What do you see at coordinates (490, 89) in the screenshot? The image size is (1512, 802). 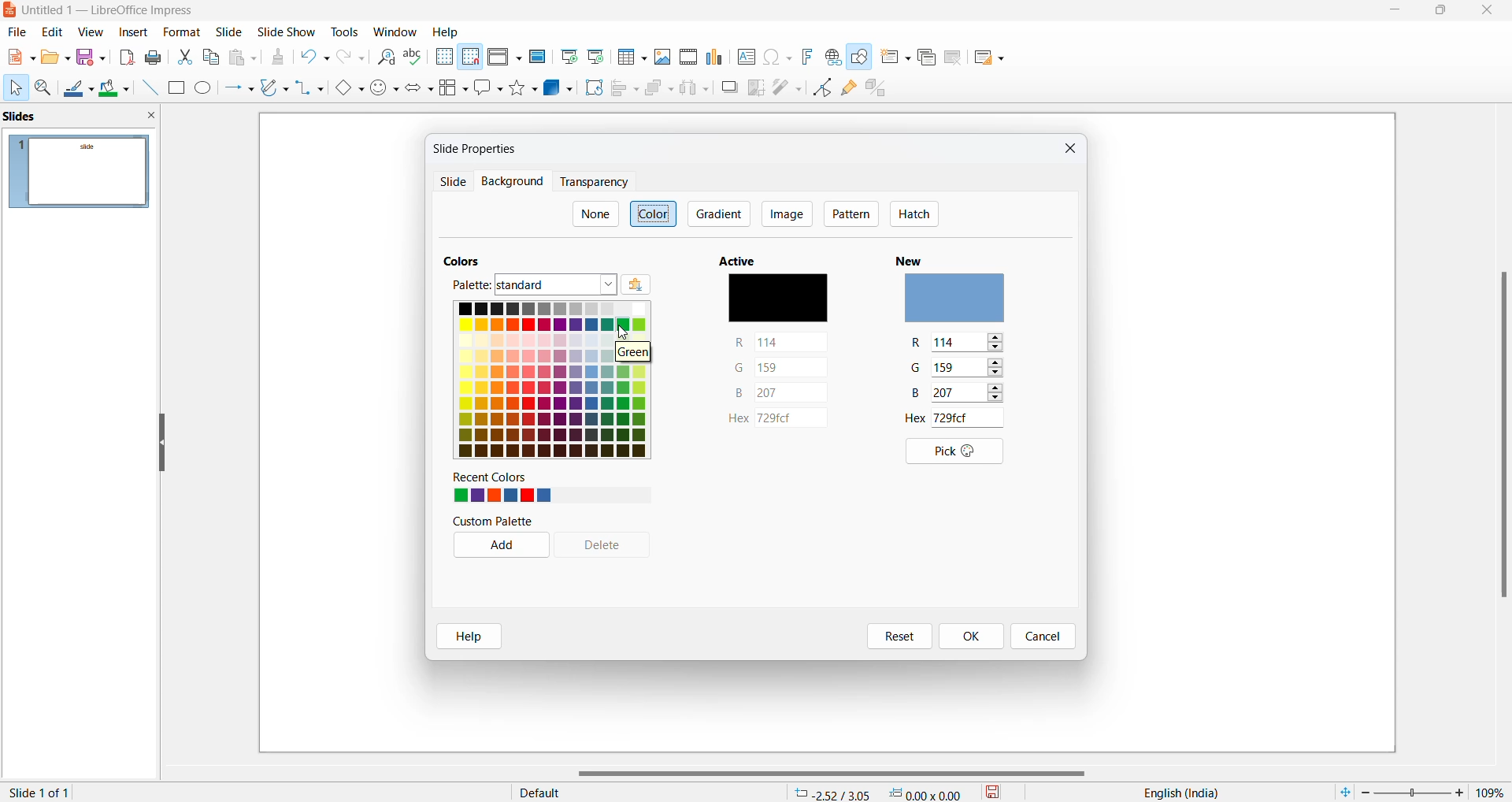 I see `callout shapes` at bounding box center [490, 89].